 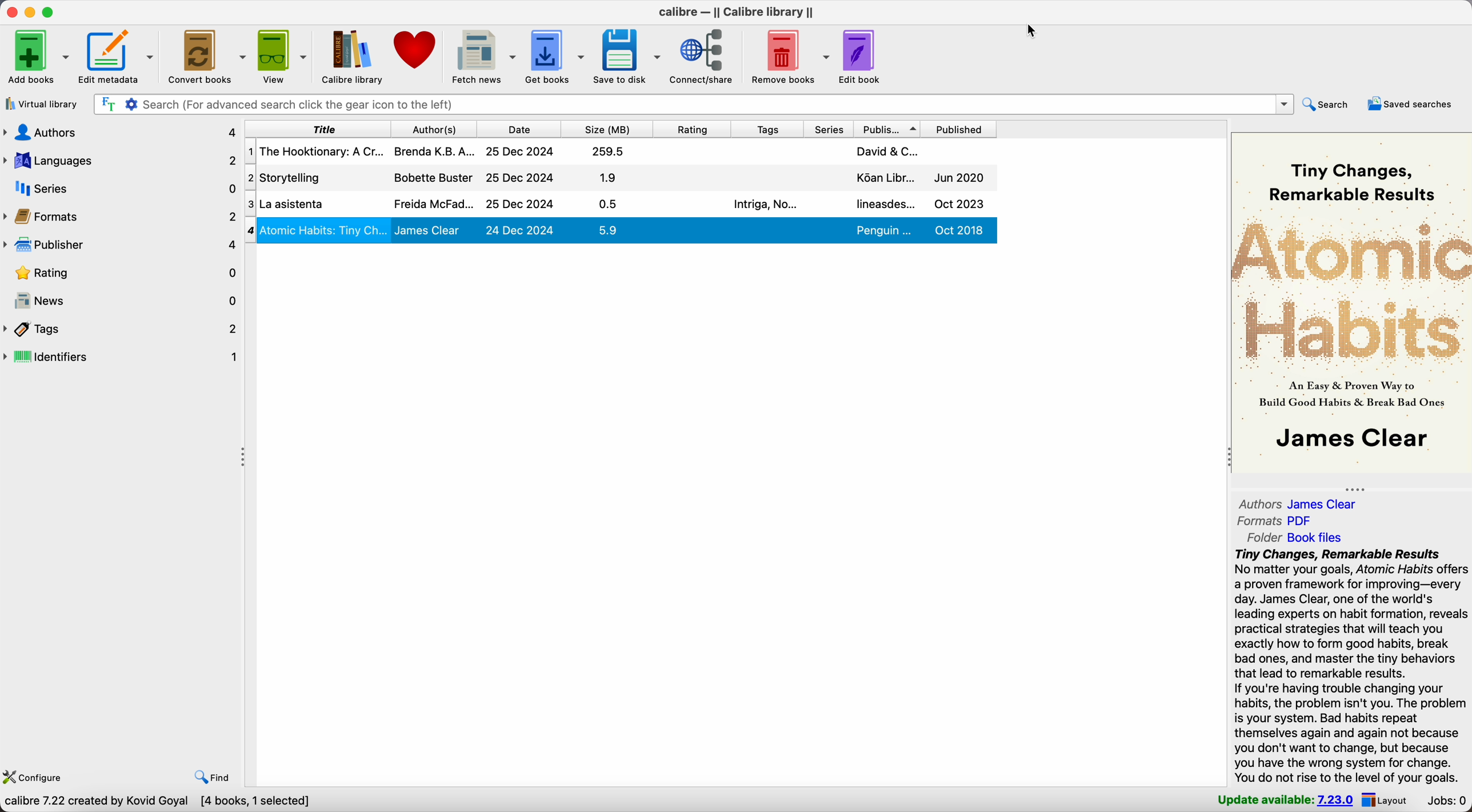 What do you see at coordinates (864, 57) in the screenshot?
I see `edit book` at bounding box center [864, 57].